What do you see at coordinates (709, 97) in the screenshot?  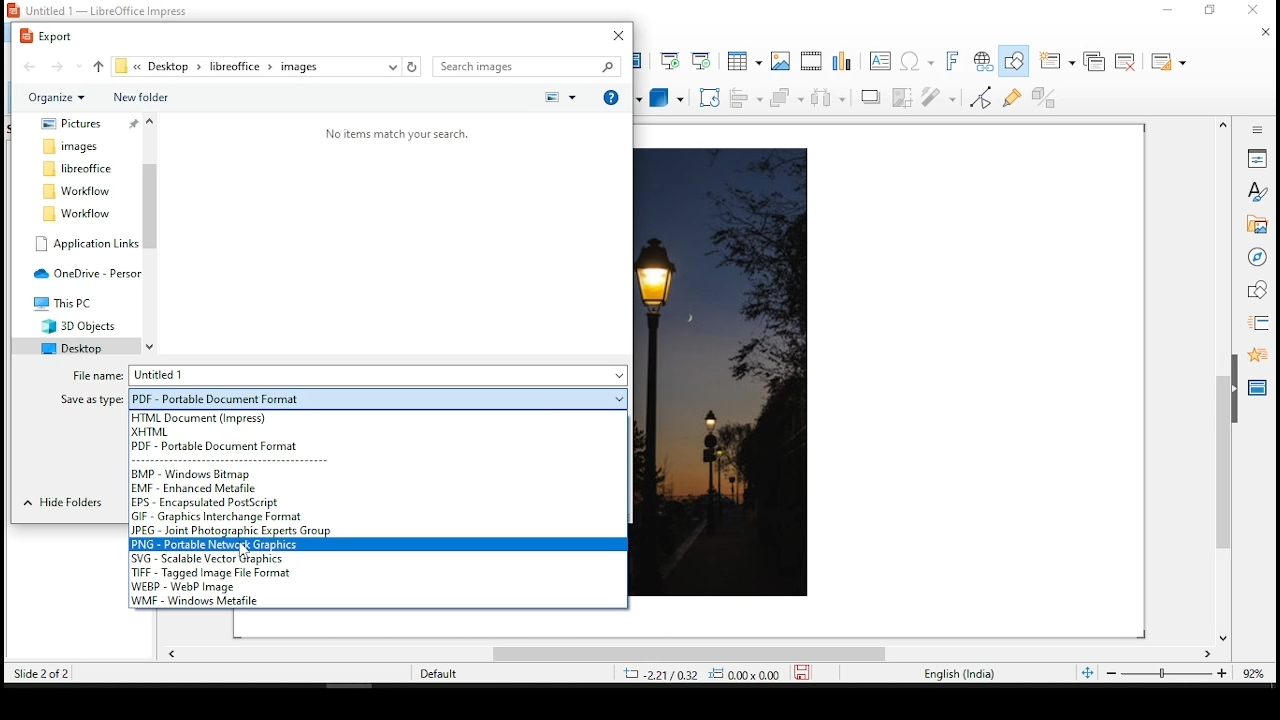 I see `crop tool` at bounding box center [709, 97].